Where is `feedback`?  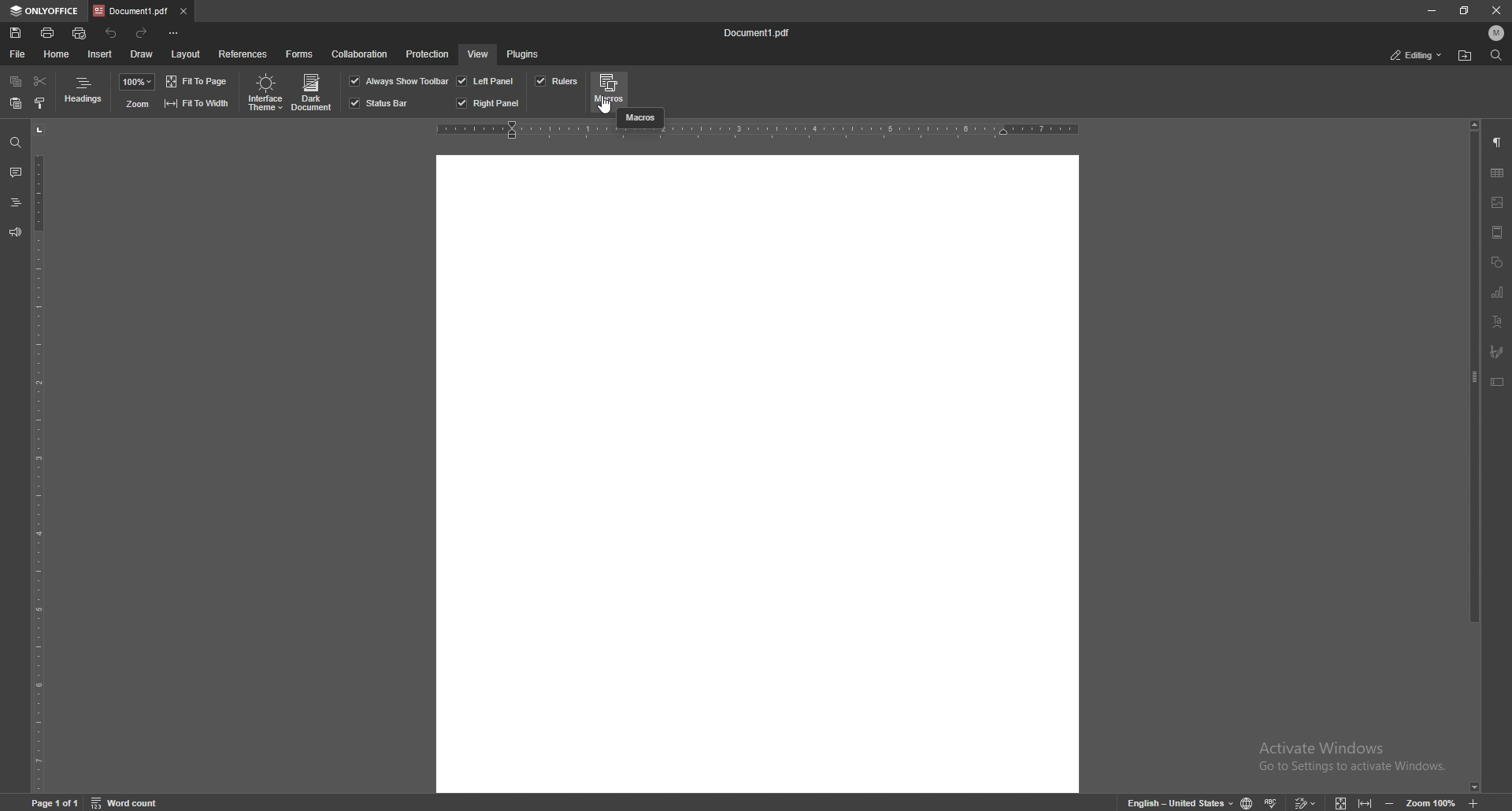
feedback is located at coordinates (15, 232).